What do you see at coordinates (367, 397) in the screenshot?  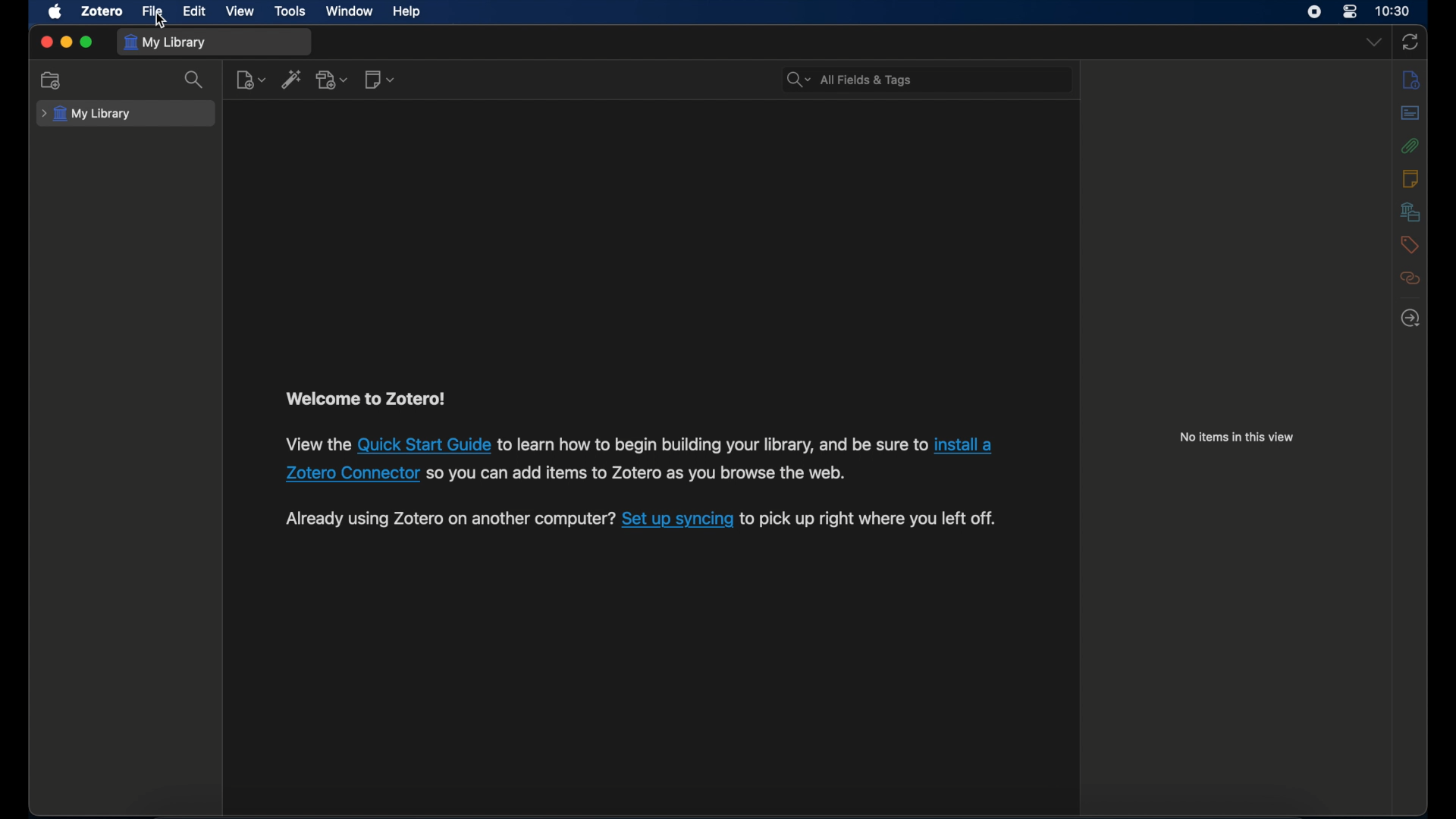 I see `welcome` at bounding box center [367, 397].